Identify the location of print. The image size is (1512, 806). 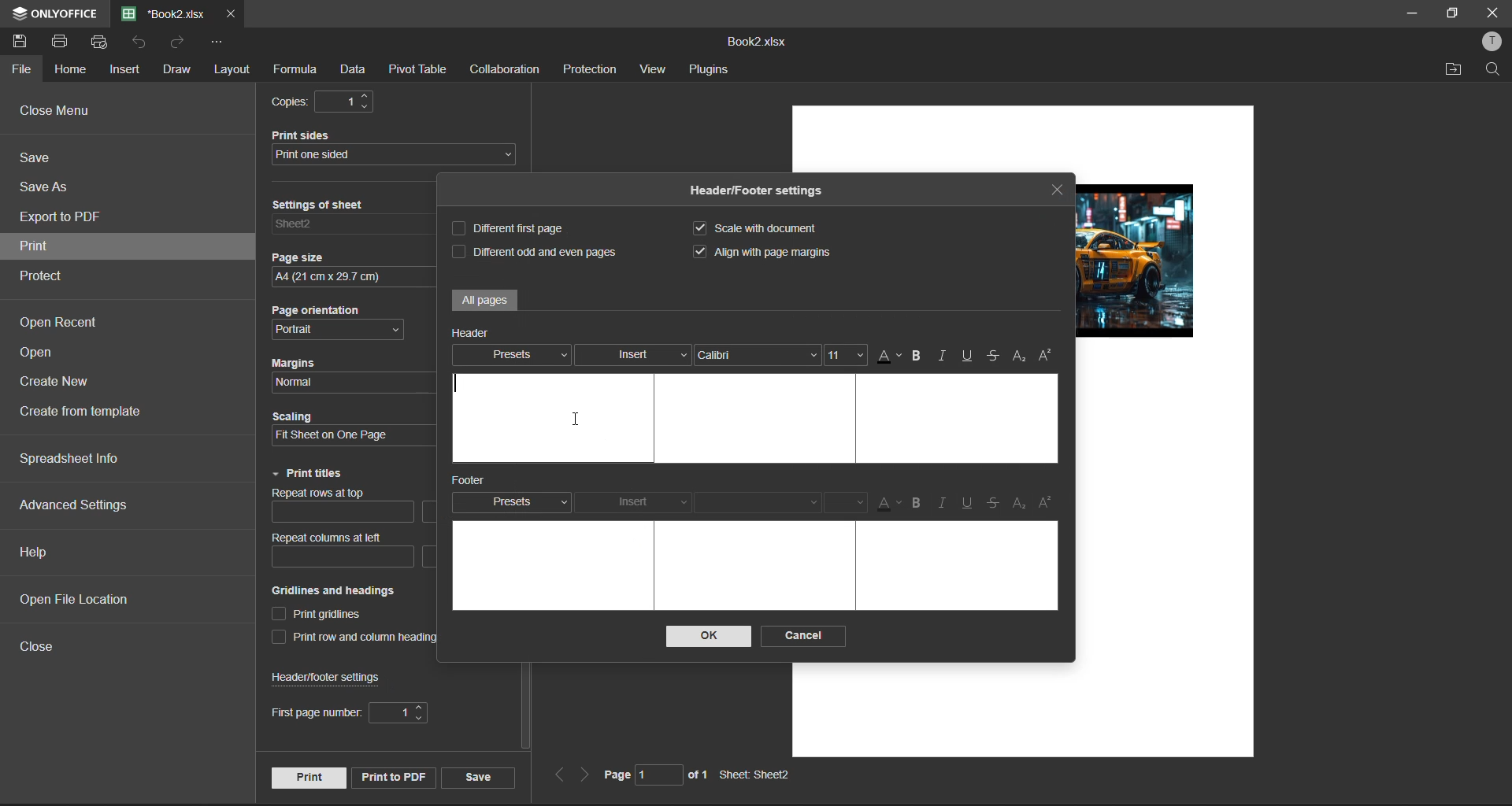
(59, 42).